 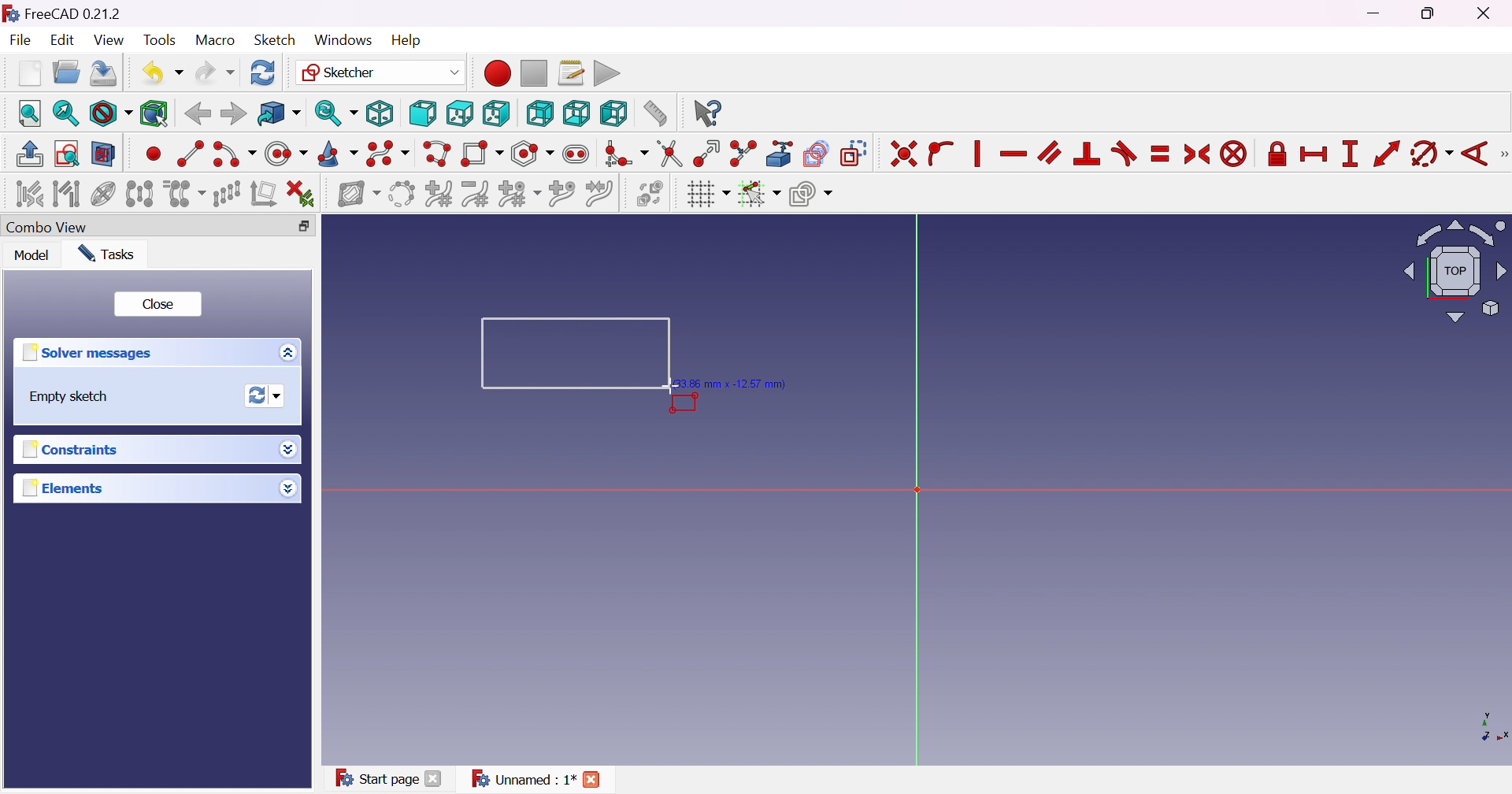 What do you see at coordinates (780, 154) in the screenshot?
I see `Create external geometry` at bounding box center [780, 154].